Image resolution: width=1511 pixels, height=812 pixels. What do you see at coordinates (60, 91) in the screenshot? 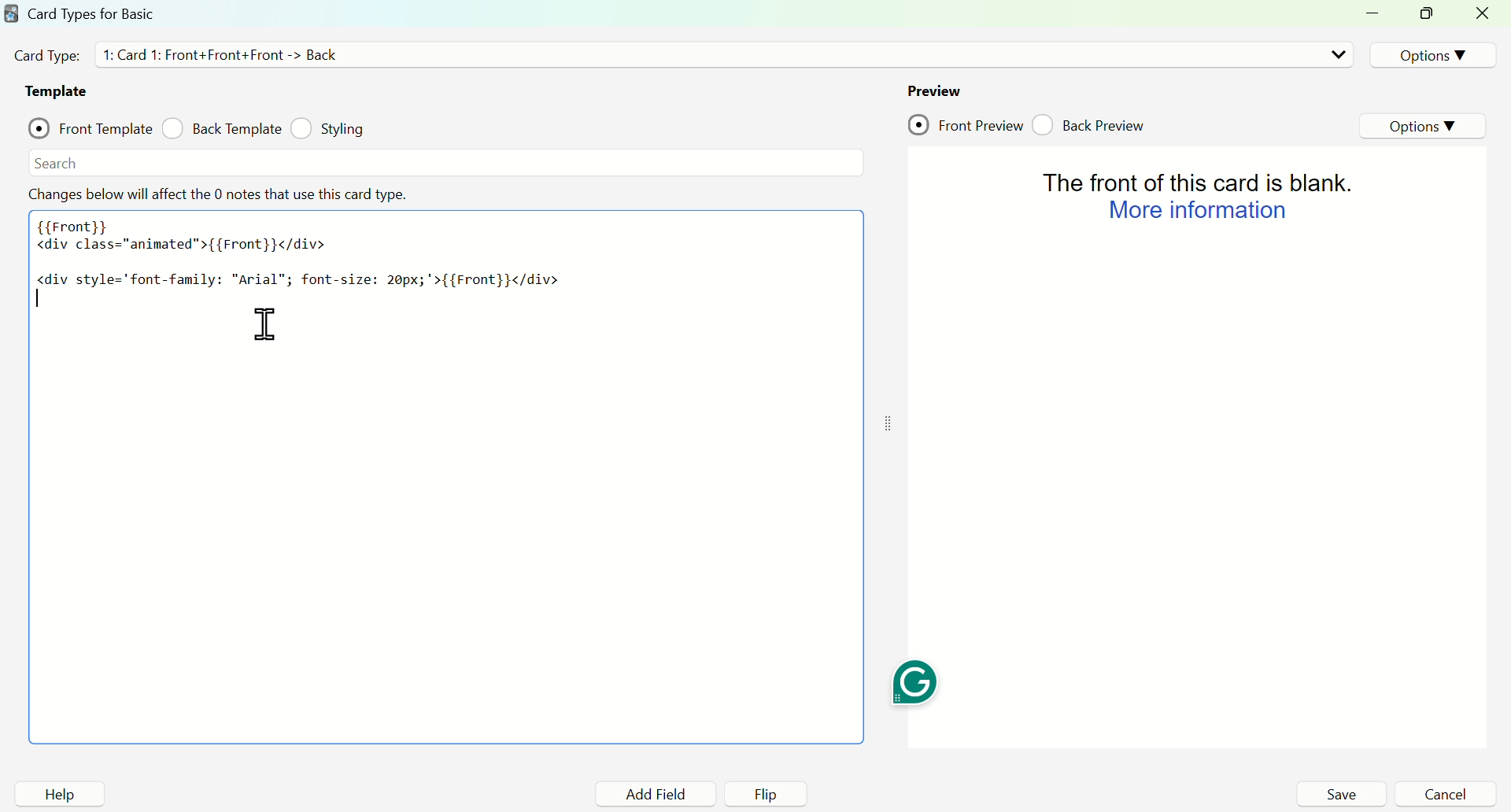
I see `Template` at bounding box center [60, 91].